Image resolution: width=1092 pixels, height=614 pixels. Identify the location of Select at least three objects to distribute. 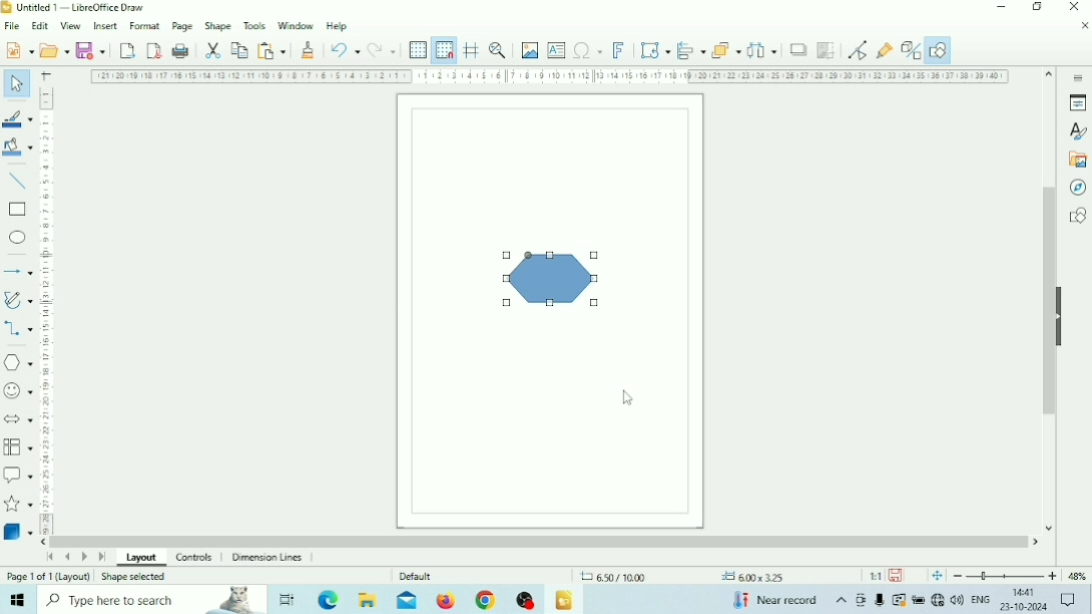
(762, 50).